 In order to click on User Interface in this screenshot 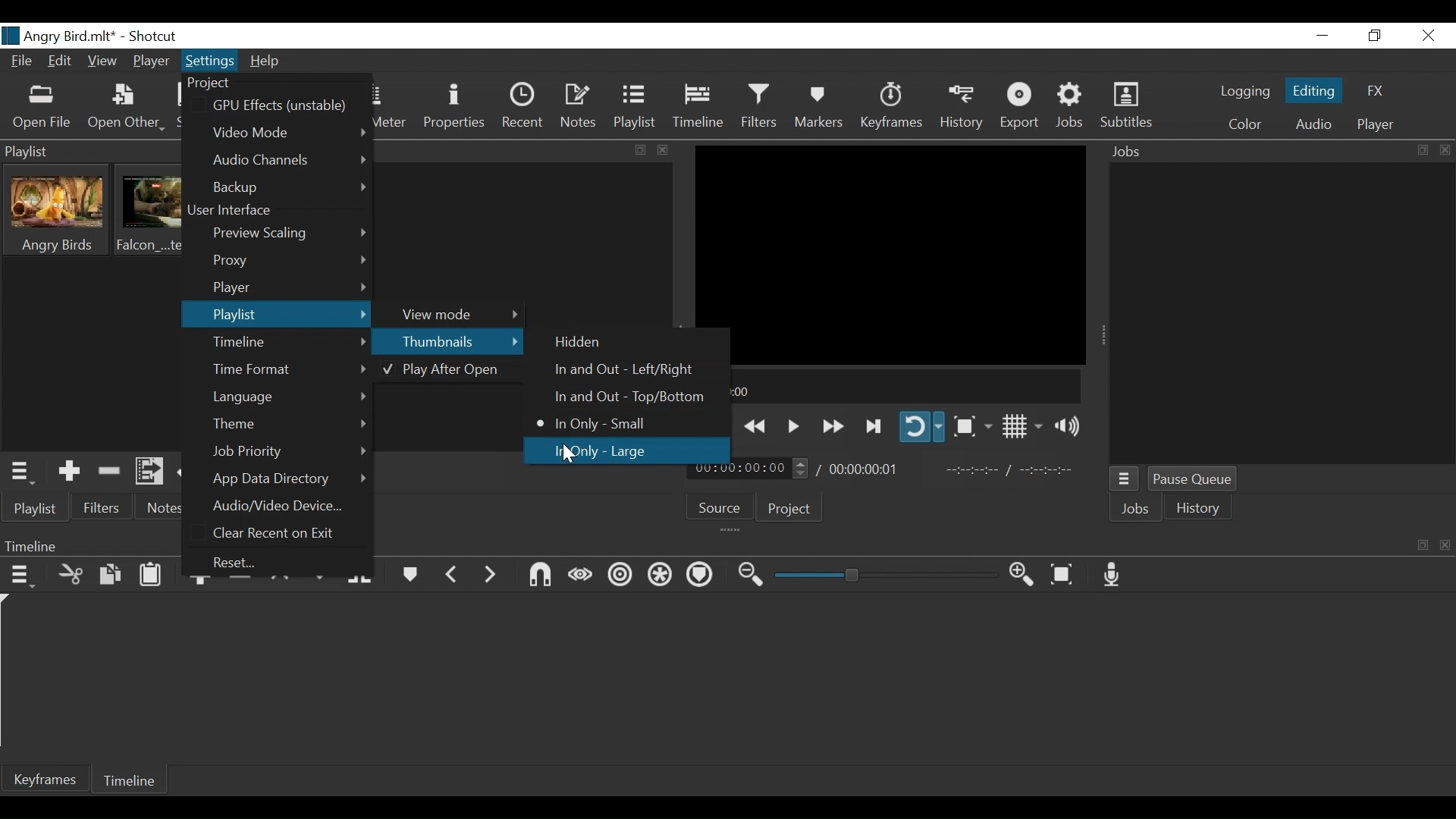, I will do `click(239, 212)`.